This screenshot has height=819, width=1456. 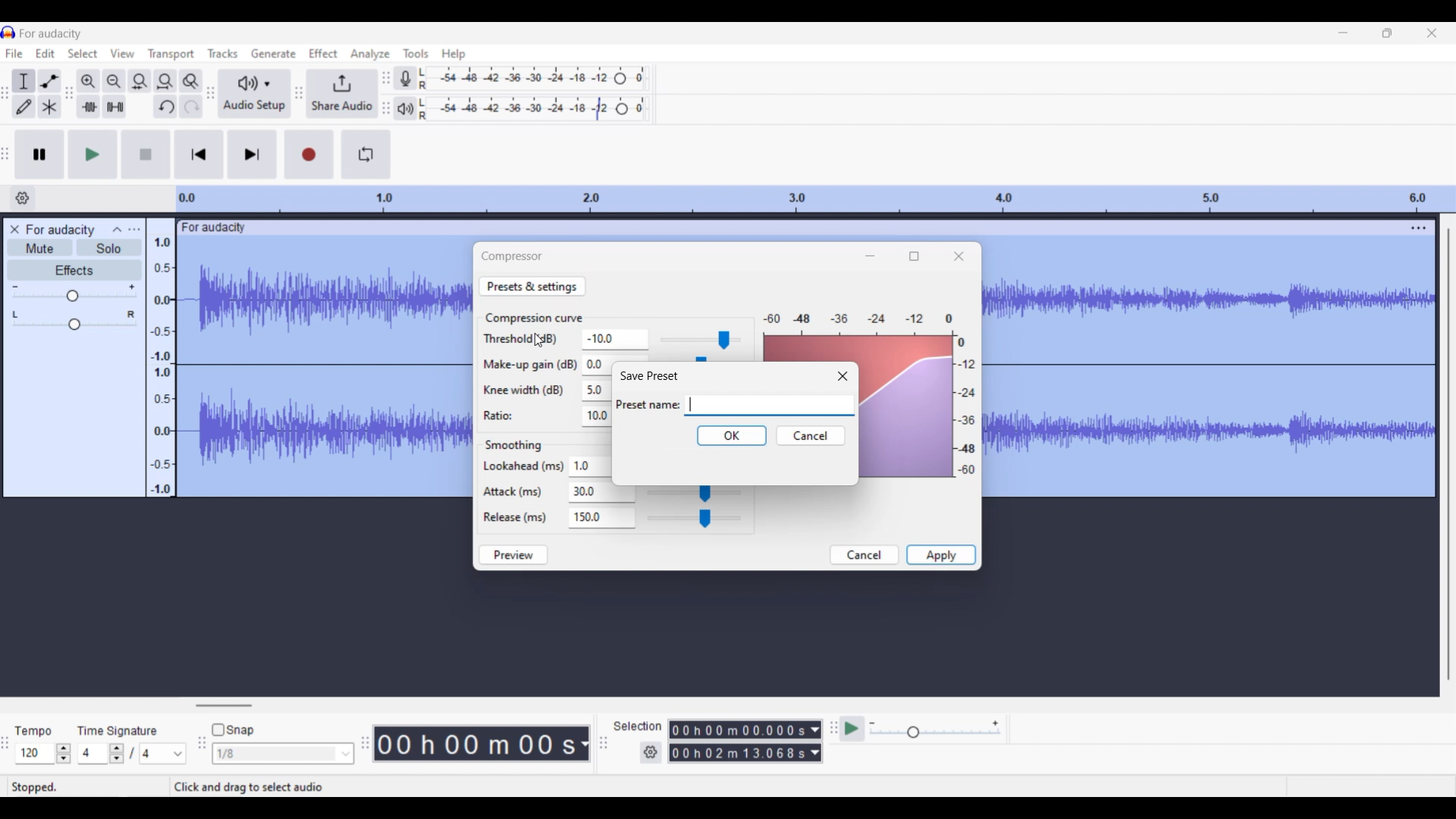 What do you see at coordinates (815, 741) in the screenshot?
I see `Duration measurement` at bounding box center [815, 741].